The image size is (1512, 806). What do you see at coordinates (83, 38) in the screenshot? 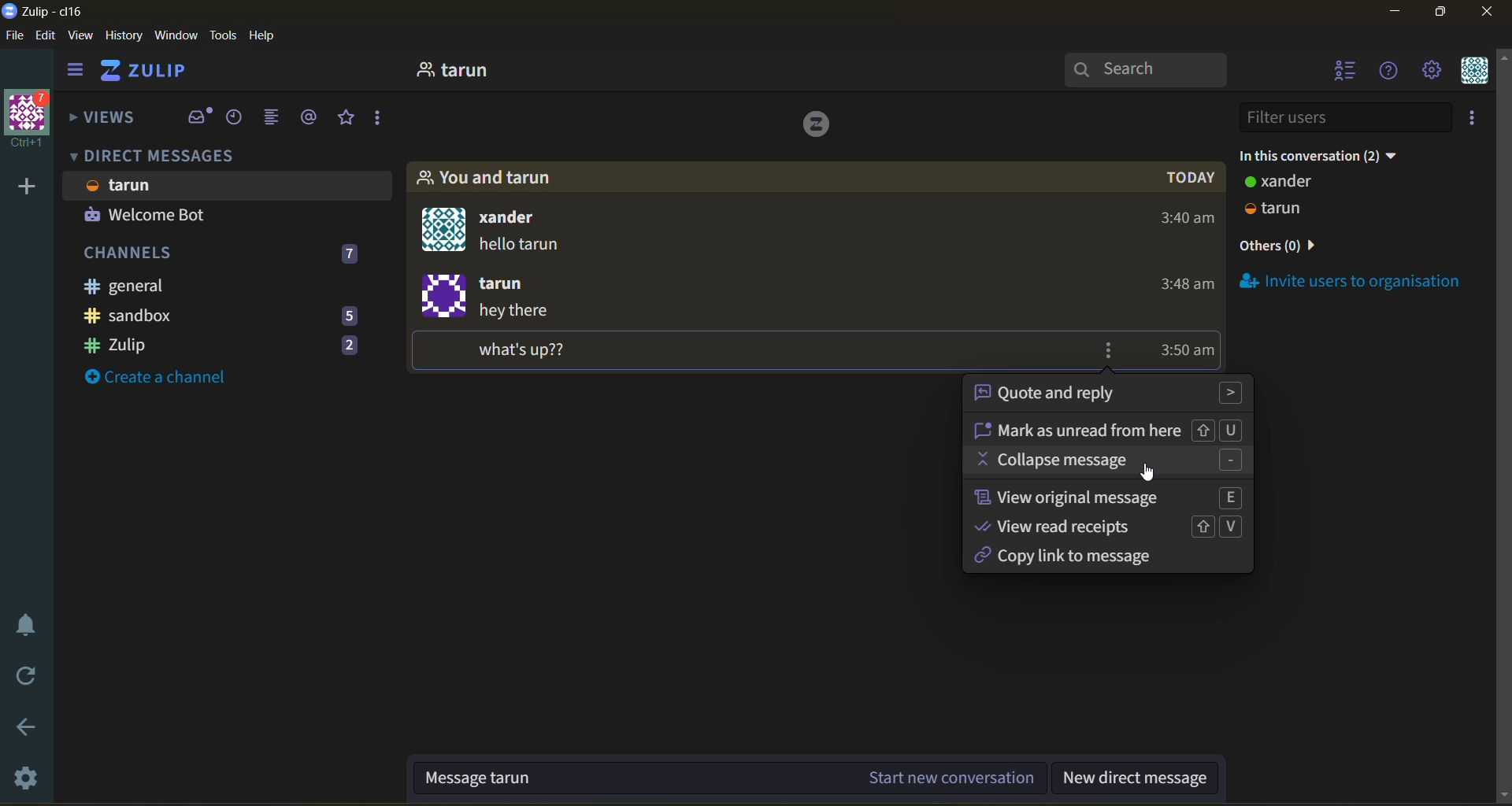
I see `view` at bounding box center [83, 38].